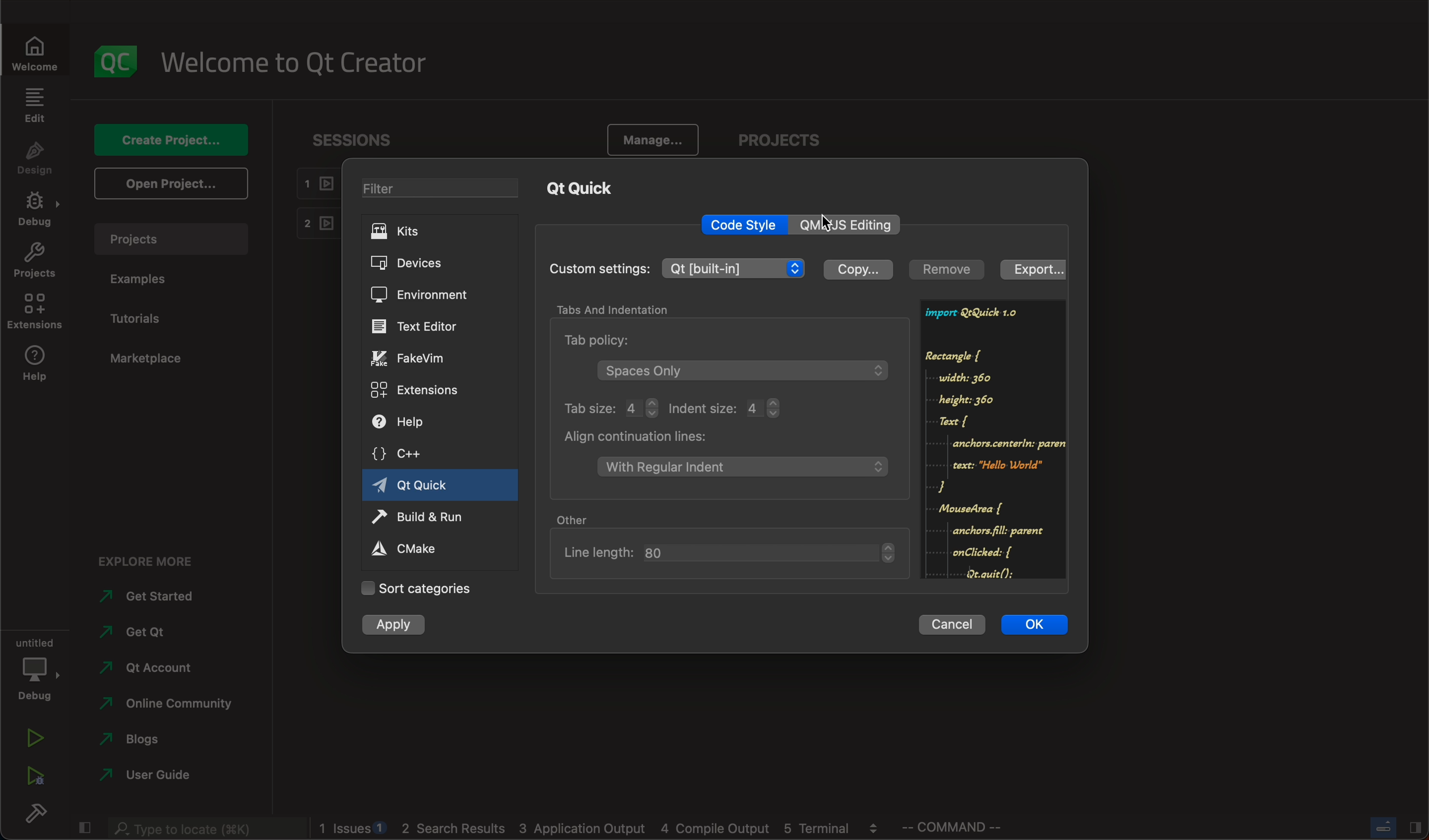  I want to click on blogs, so click(138, 740).